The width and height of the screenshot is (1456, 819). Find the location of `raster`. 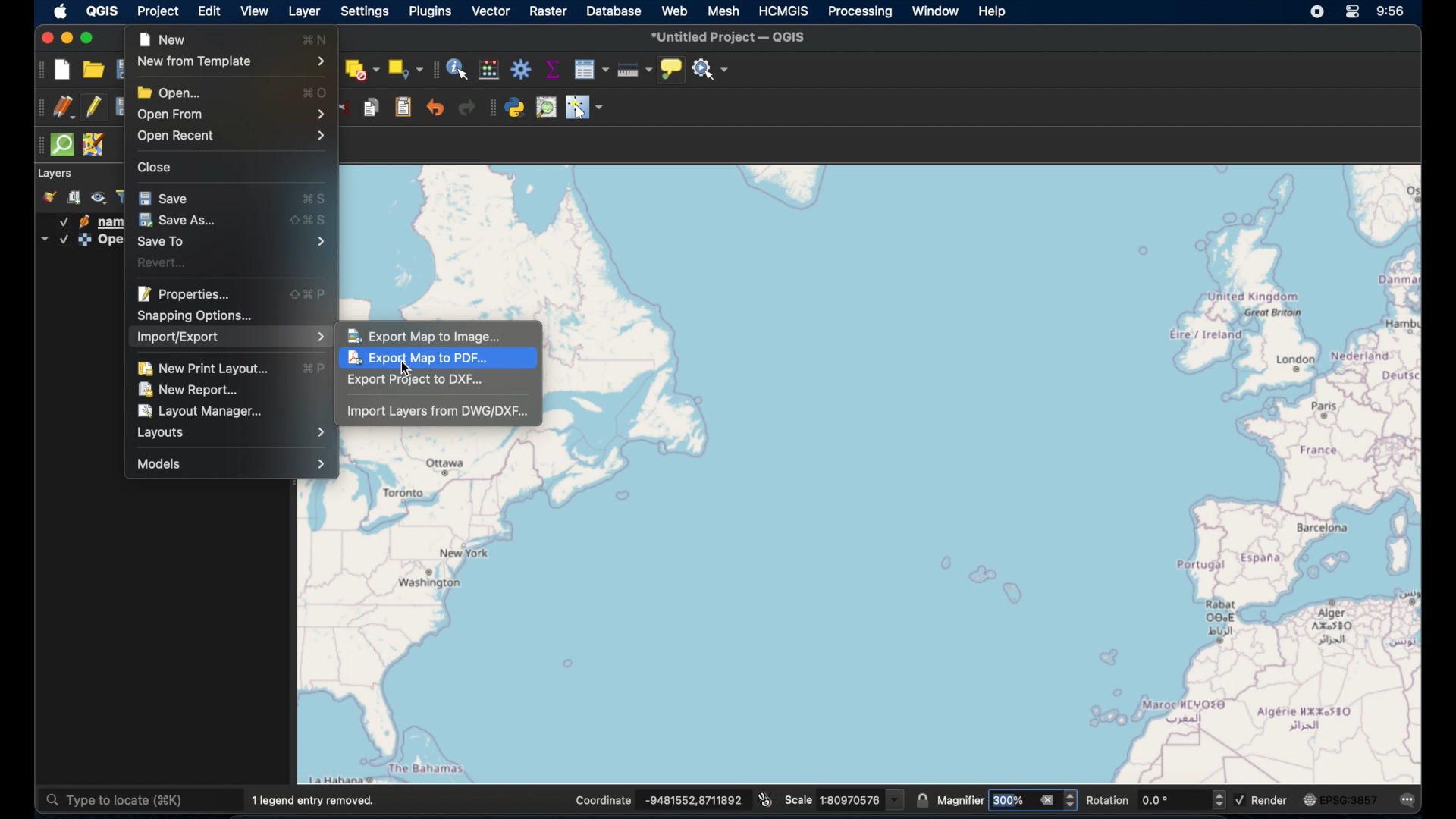

raster is located at coordinates (548, 11).